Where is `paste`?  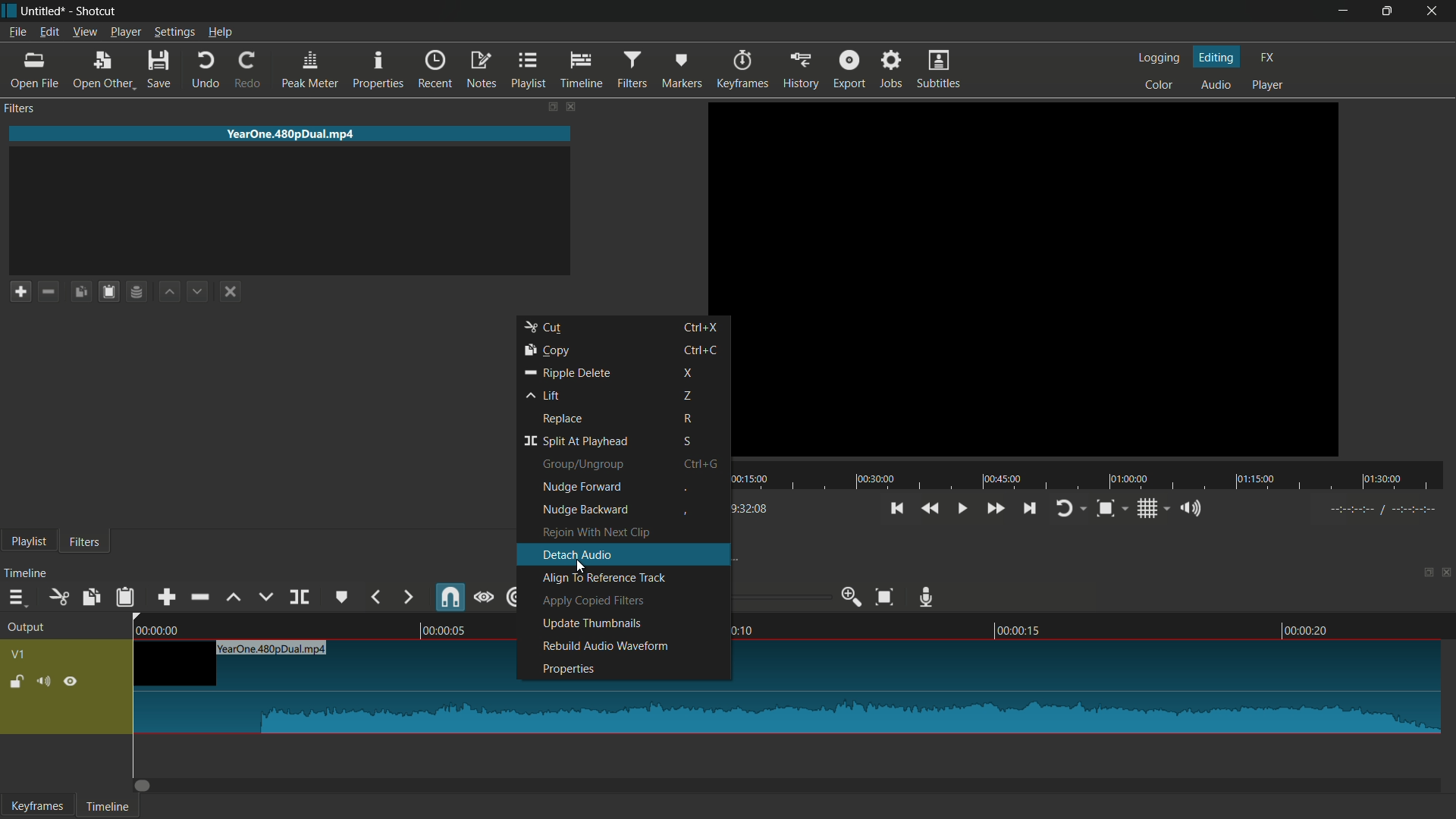
paste is located at coordinates (125, 598).